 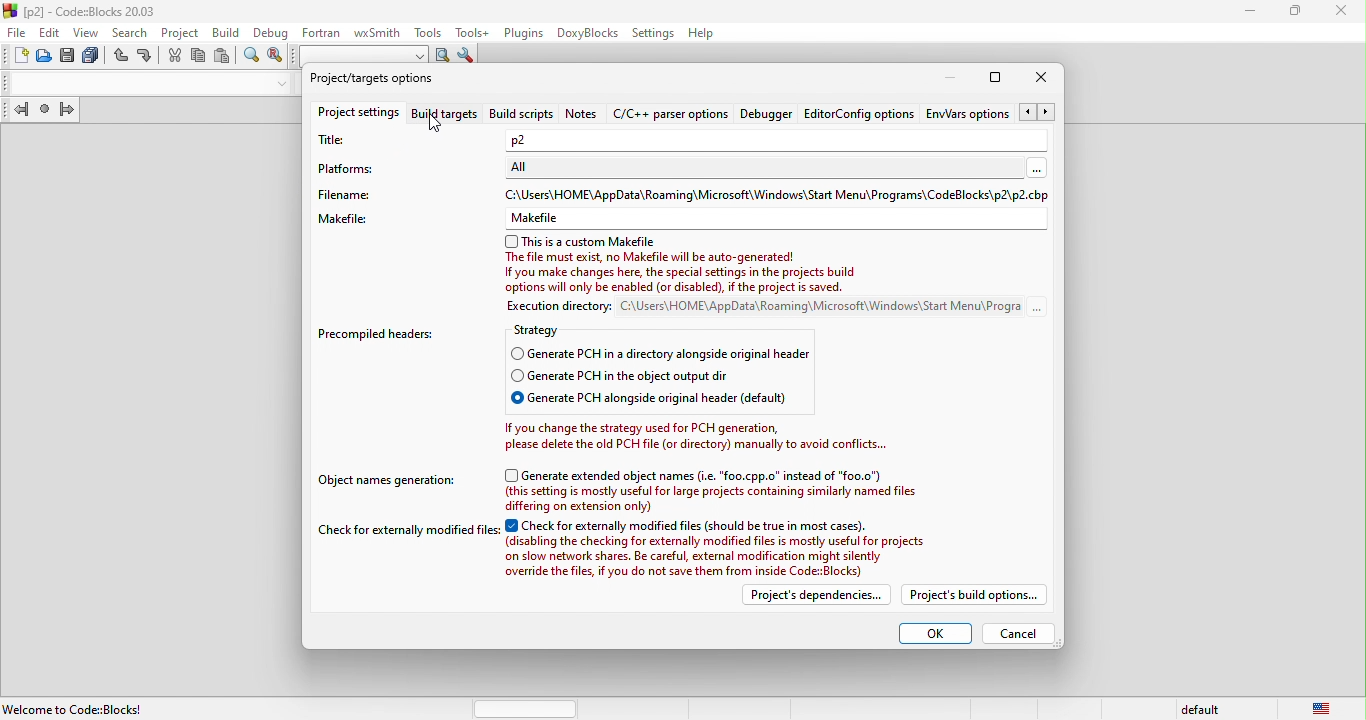 I want to click on united state, so click(x=1323, y=709).